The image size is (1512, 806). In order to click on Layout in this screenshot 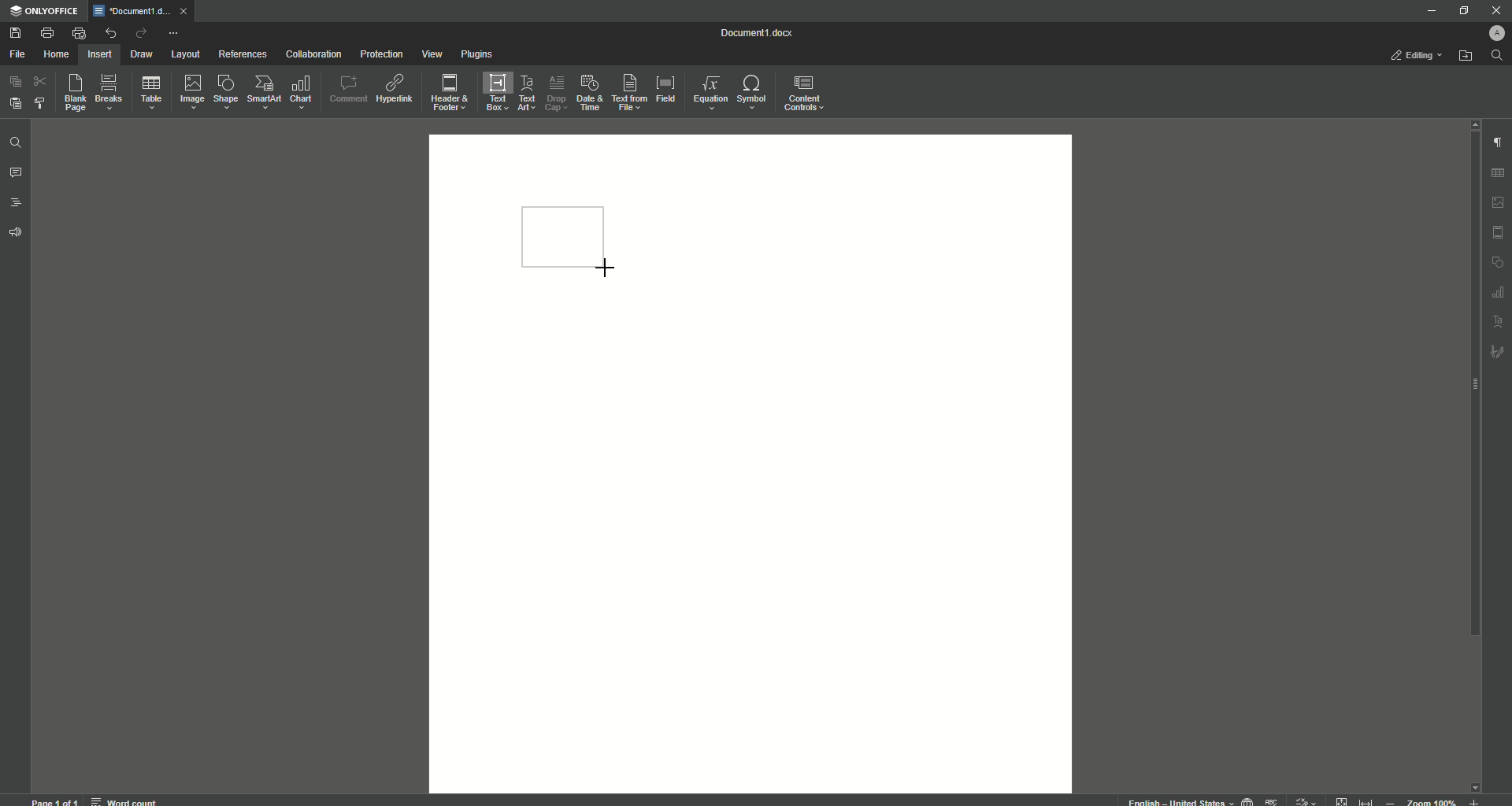, I will do `click(185, 54)`.